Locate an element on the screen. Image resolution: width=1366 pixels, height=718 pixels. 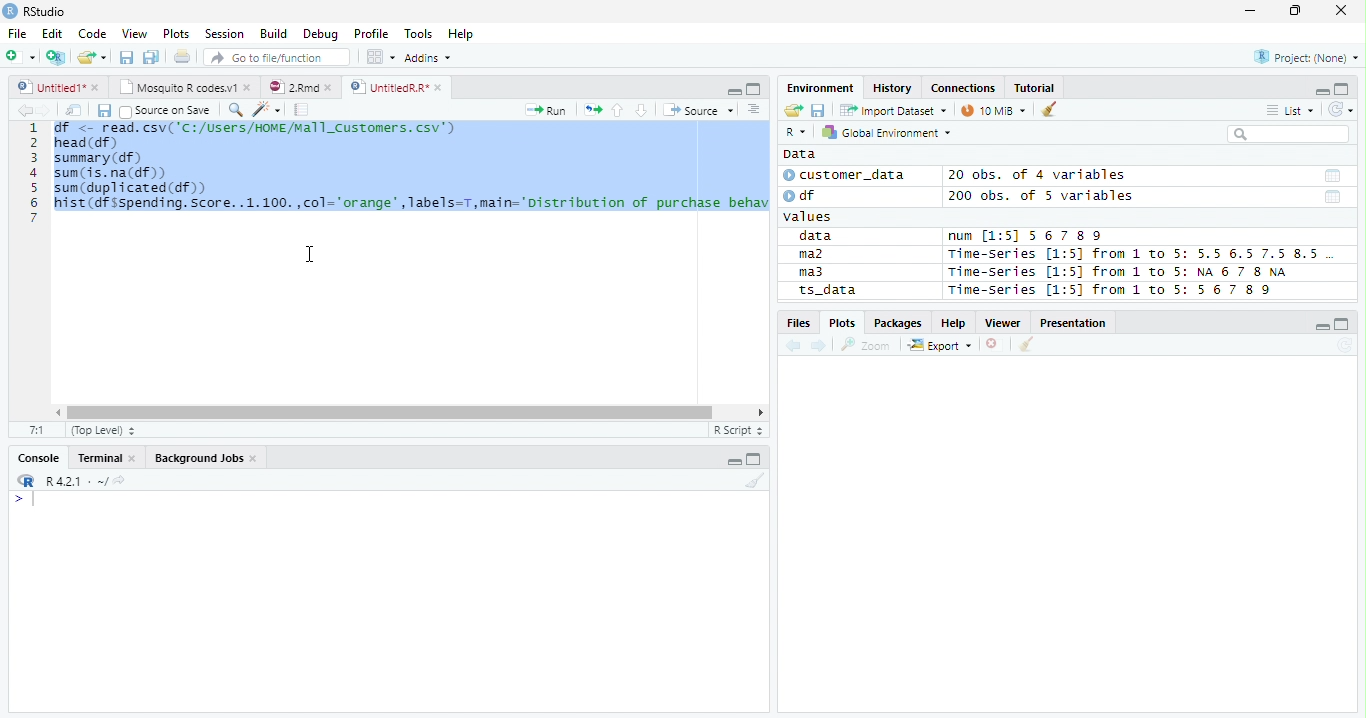
Debug is located at coordinates (321, 35).